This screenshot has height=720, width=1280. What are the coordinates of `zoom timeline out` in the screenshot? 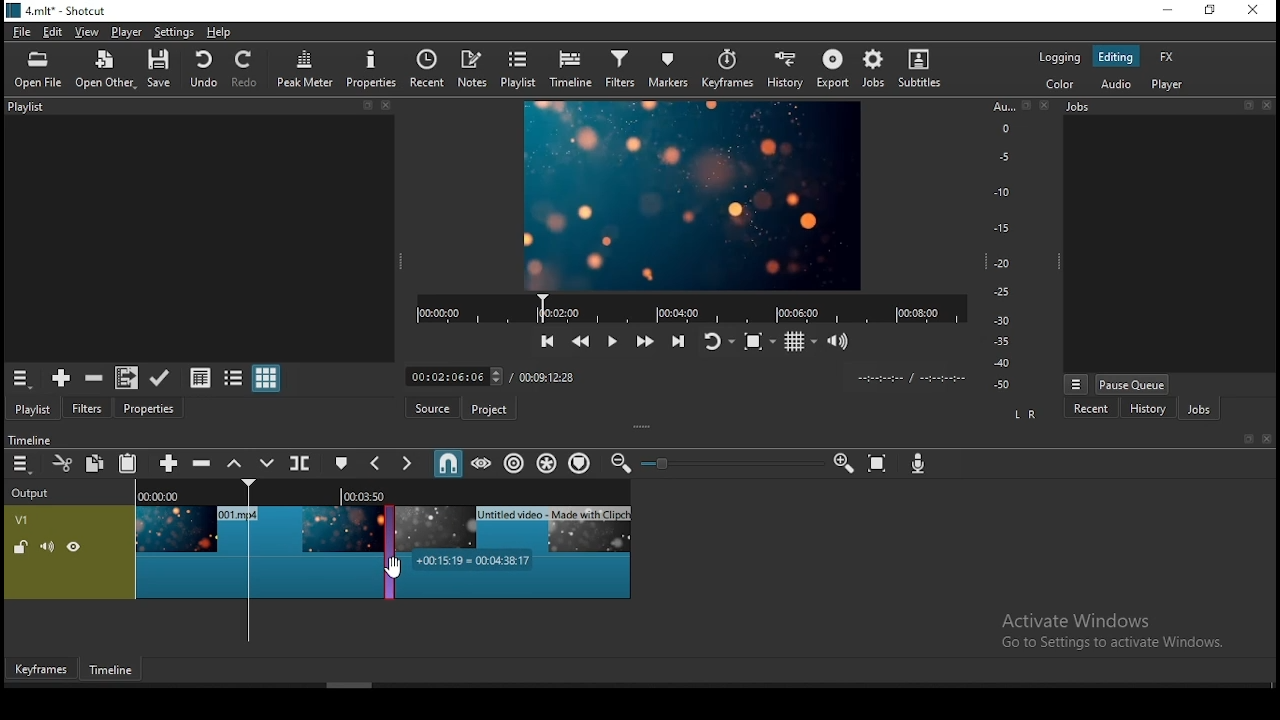 It's located at (619, 464).